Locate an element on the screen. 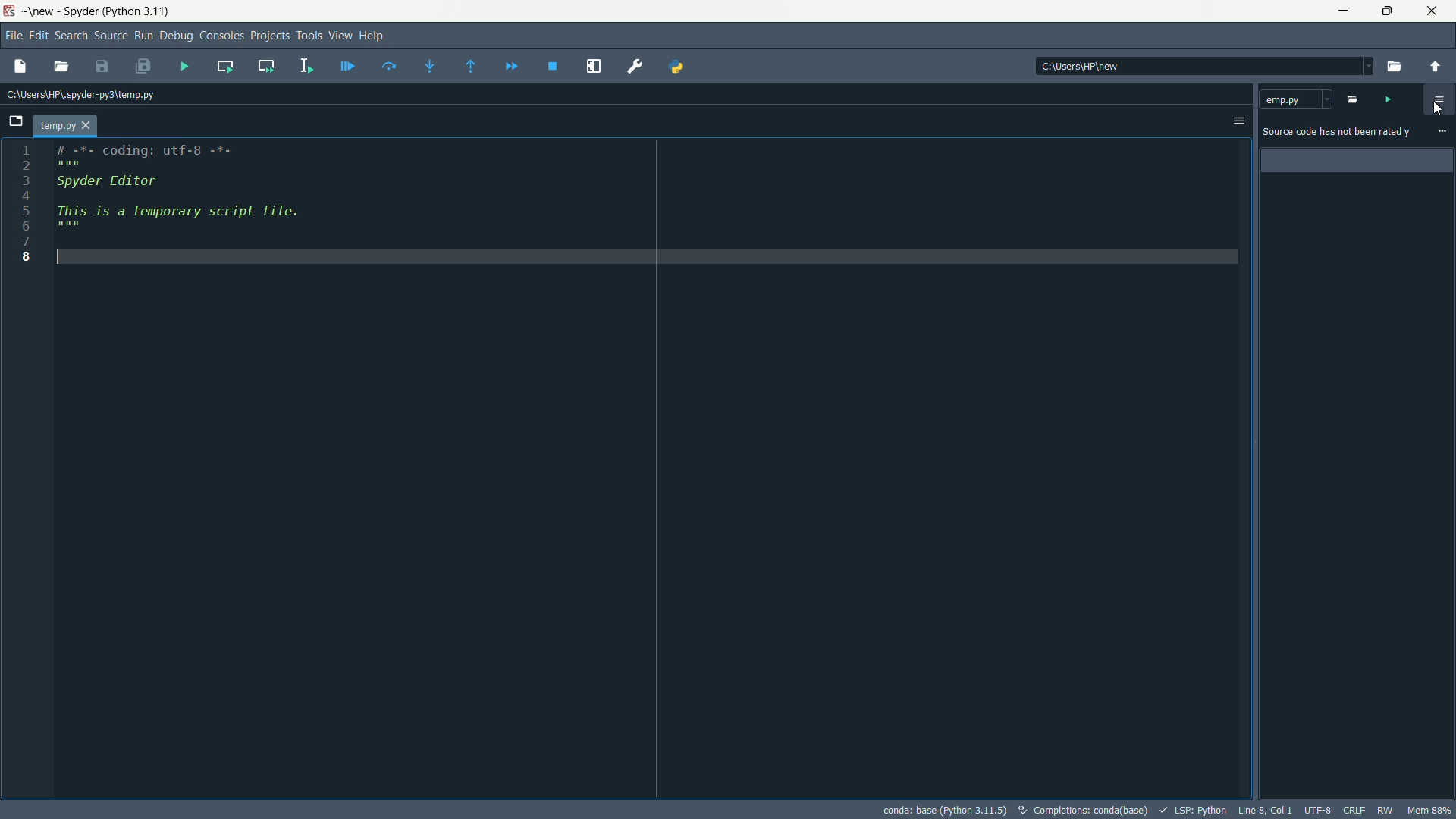  source menu is located at coordinates (108, 36).